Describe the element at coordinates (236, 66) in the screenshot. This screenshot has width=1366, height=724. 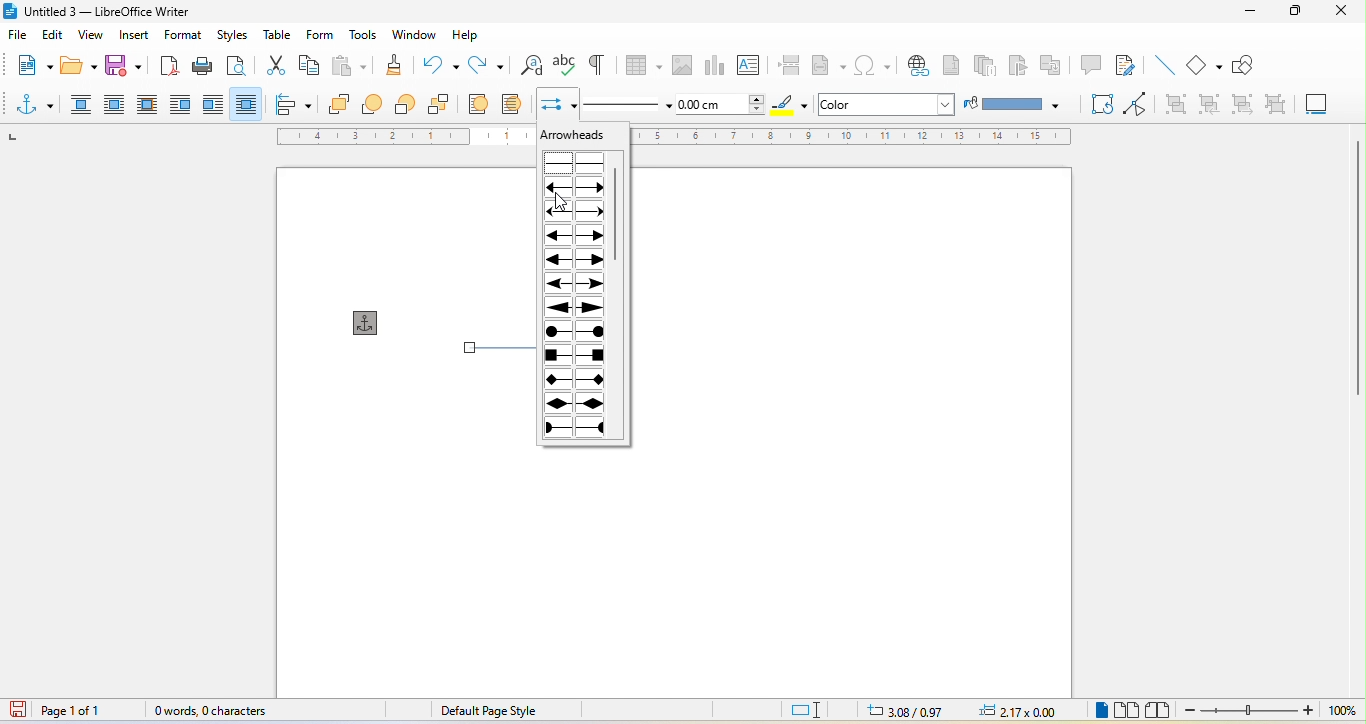
I see `print preview` at that location.